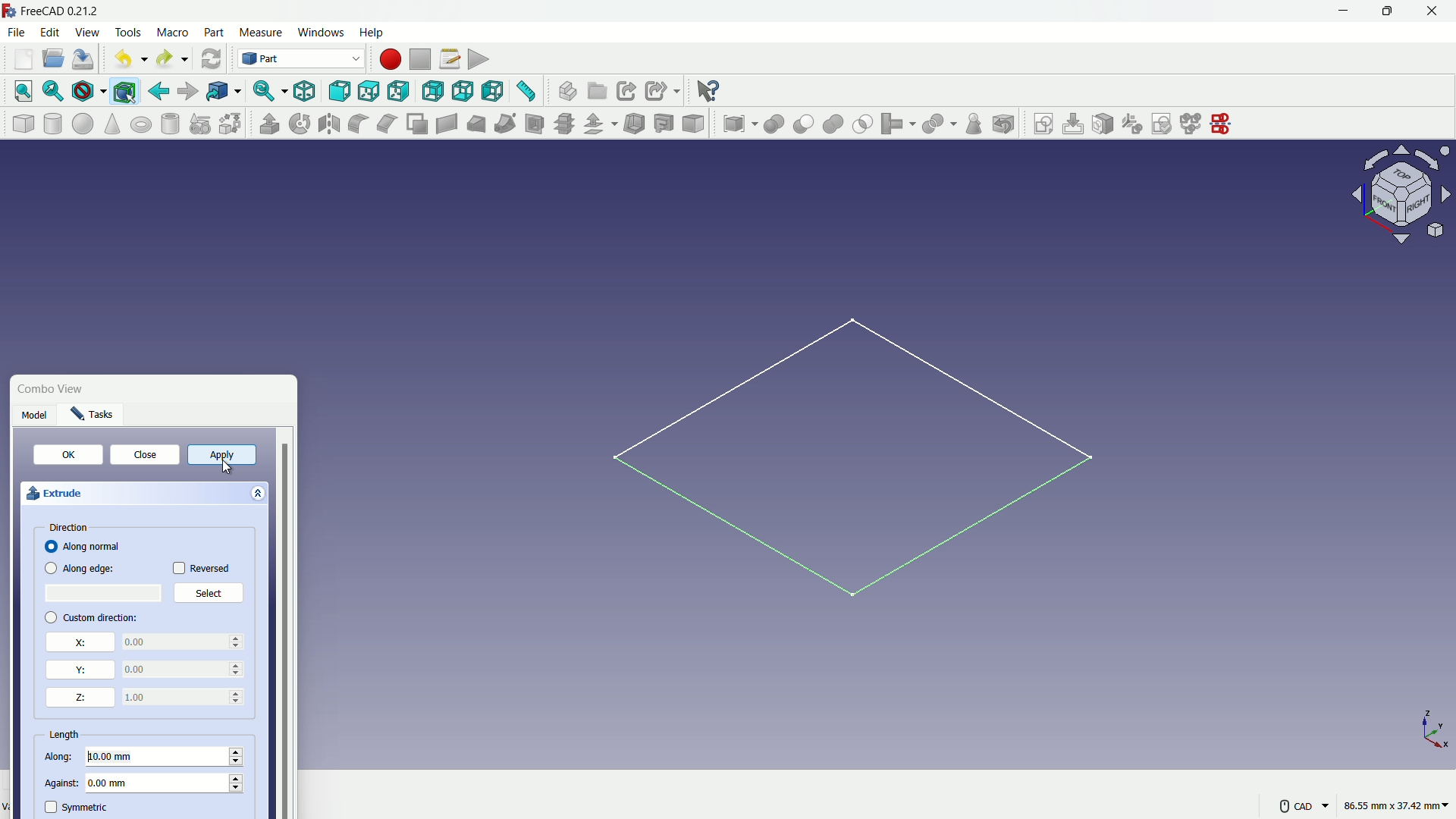  I want to click on logo, so click(11, 11).